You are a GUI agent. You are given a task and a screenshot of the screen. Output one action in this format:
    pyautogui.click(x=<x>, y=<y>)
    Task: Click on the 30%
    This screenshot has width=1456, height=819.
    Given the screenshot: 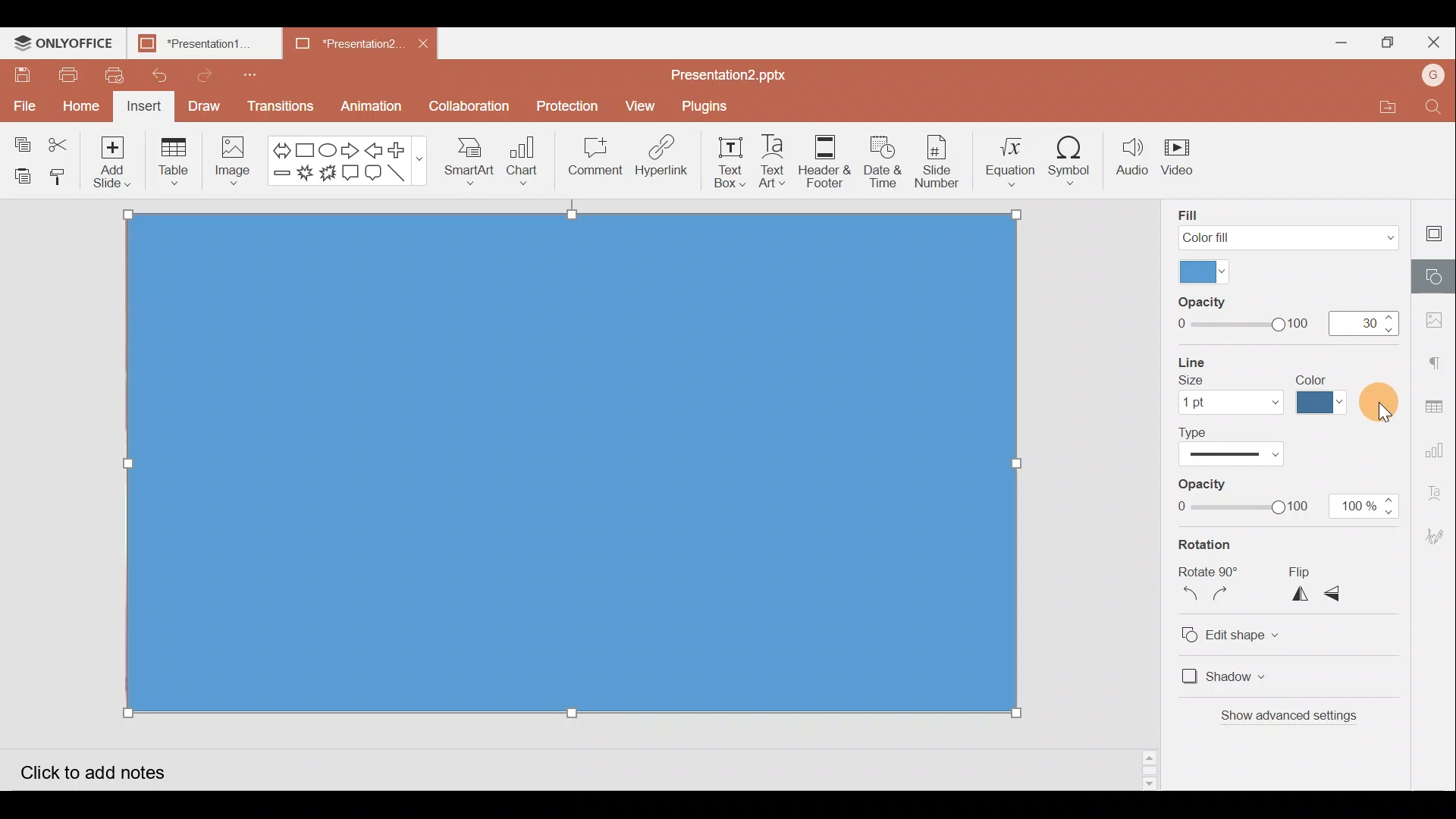 What is the action you would take?
    pyautogui.click(x=1363, y=317)
    